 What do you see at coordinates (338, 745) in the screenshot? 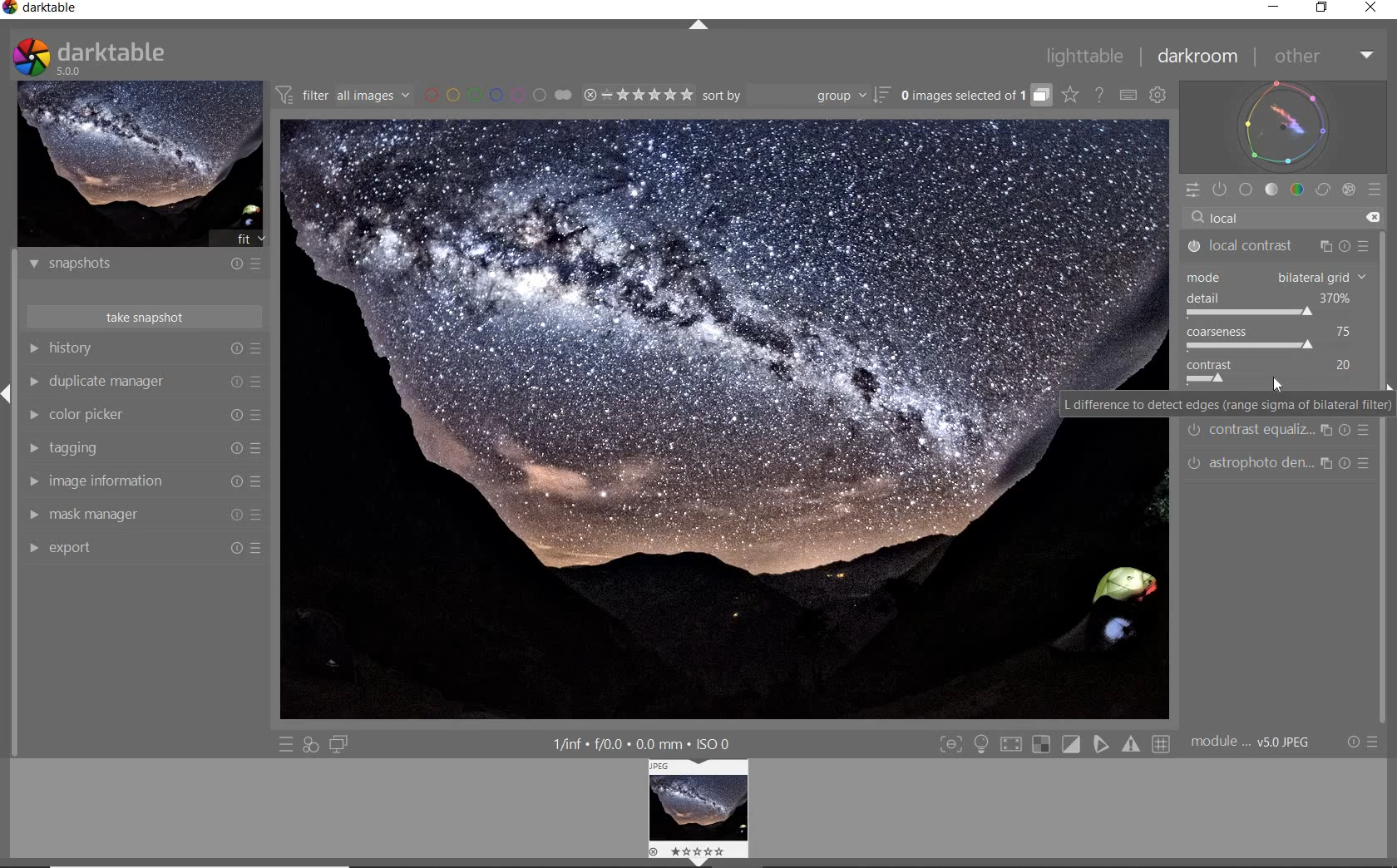
I see `DISPLAY A SECOND DARKROOM IMAGE WINDOW` at bounding box center [338, 745].